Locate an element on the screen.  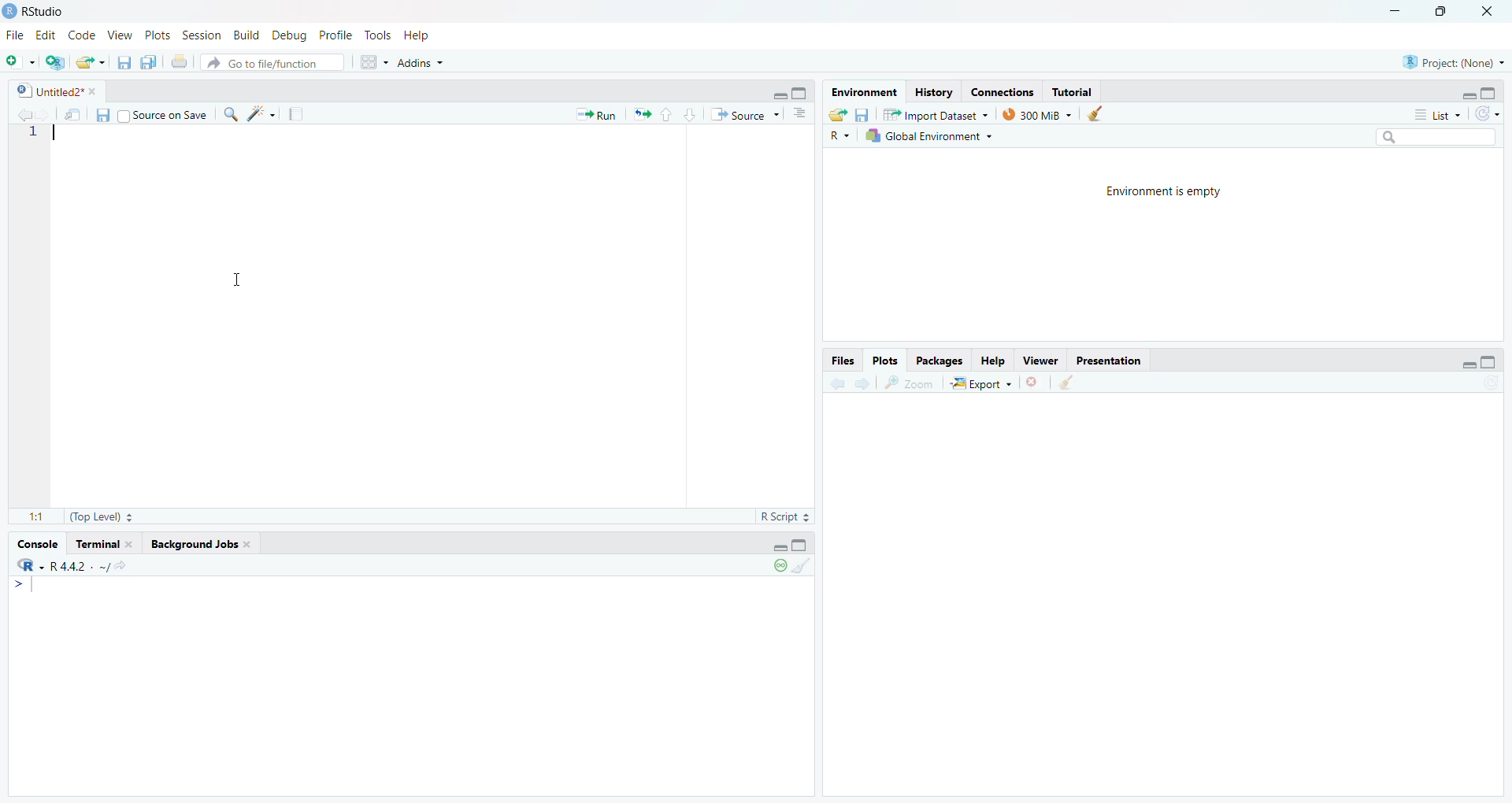
zoom is located at coordinates (909, 383).